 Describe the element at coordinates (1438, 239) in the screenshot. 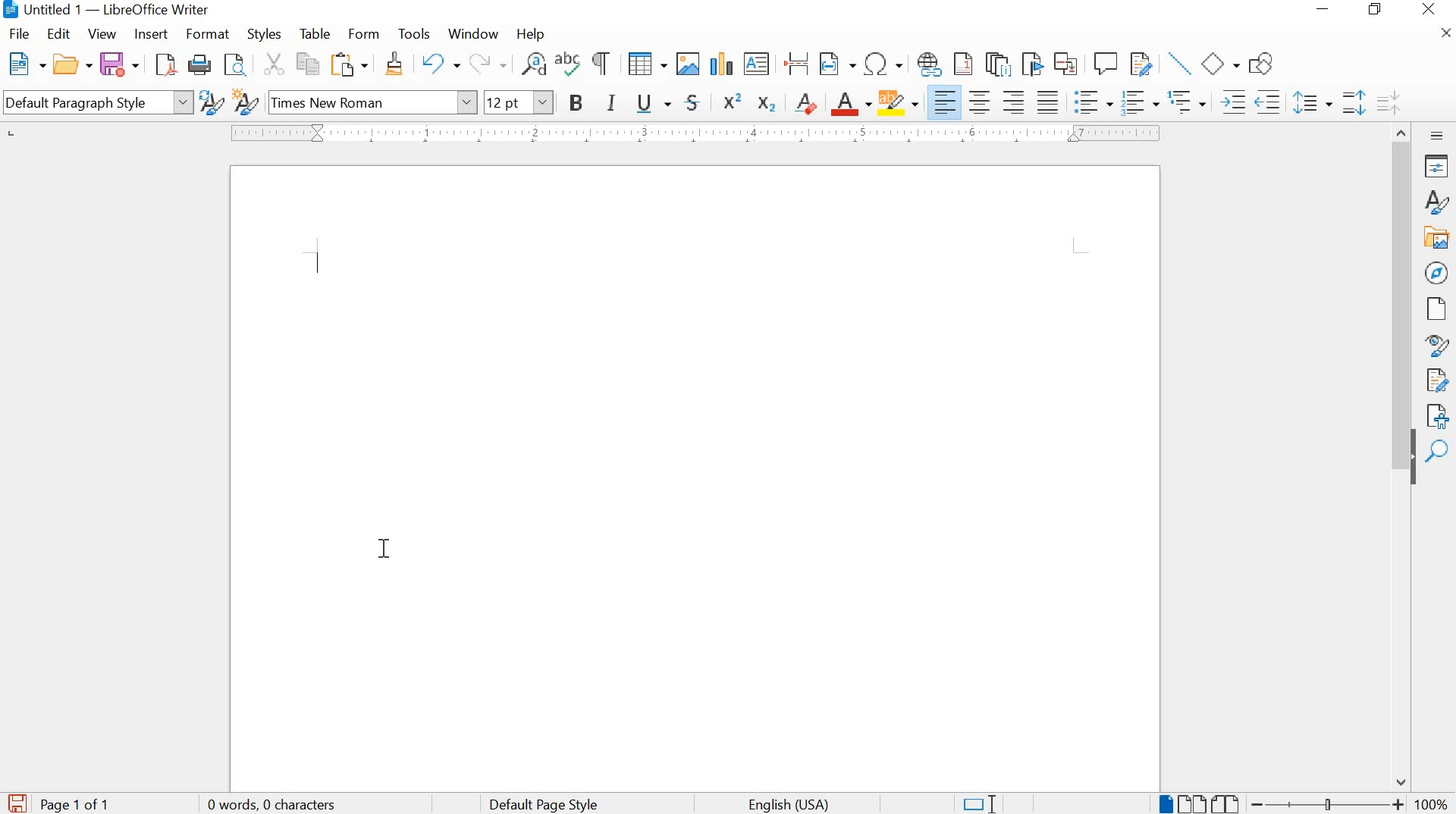

I see `GALLERY` at that location.